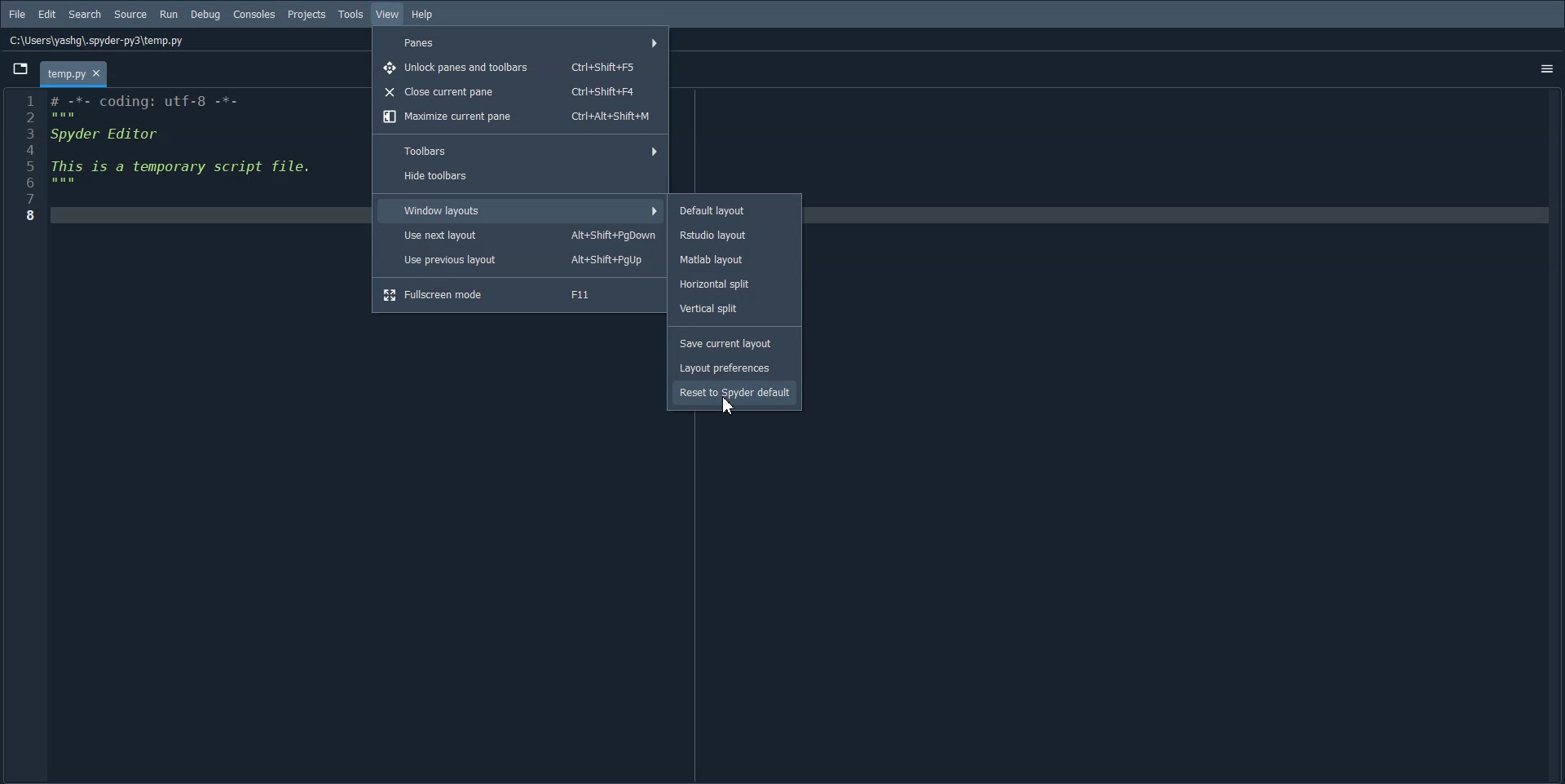 The width and height of the screenshot is (1565, 784). I want to click on tab - temp.py, so click(73, 74).